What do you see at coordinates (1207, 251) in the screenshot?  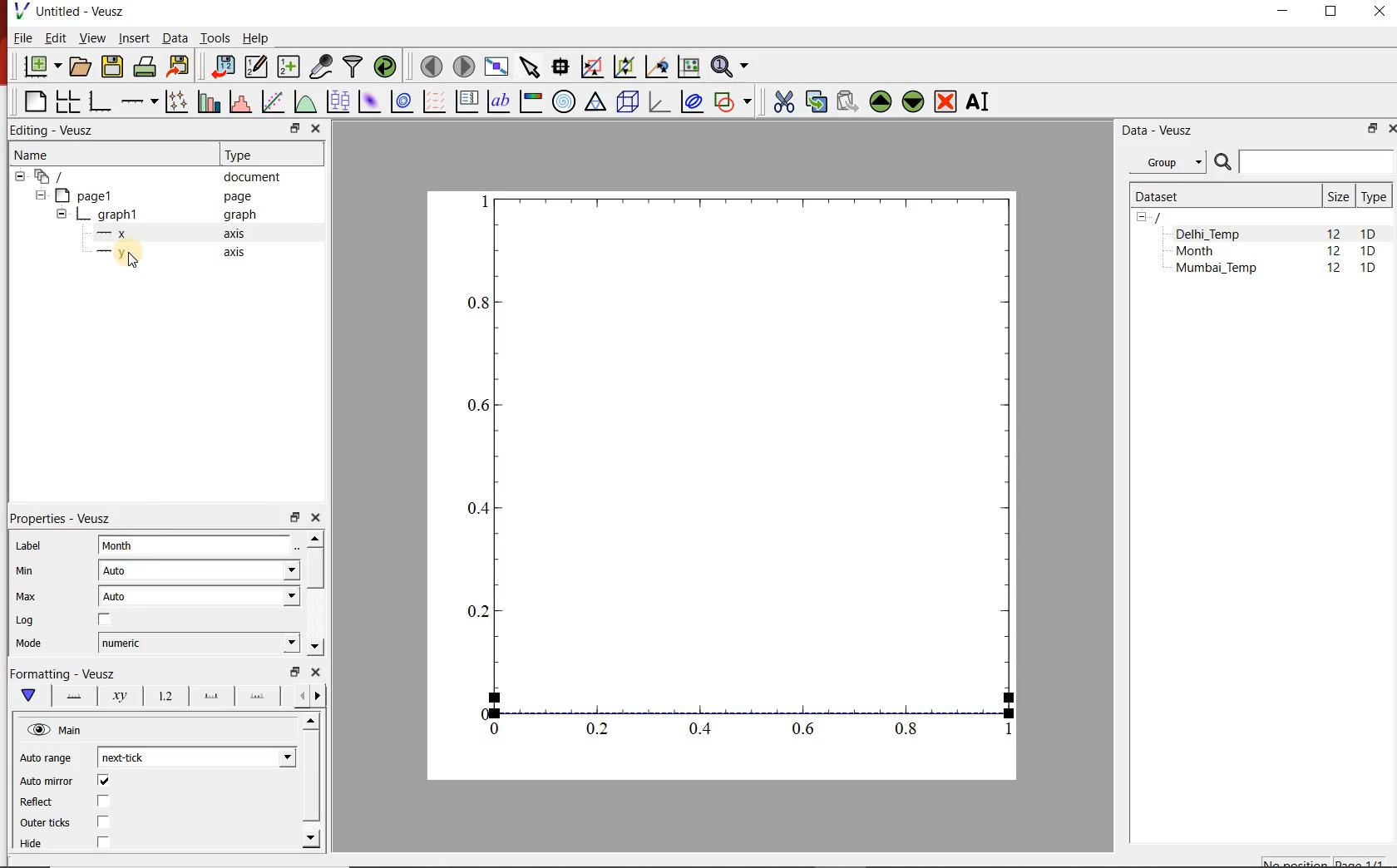 I see `Month` at bounding box center [1207, 251].